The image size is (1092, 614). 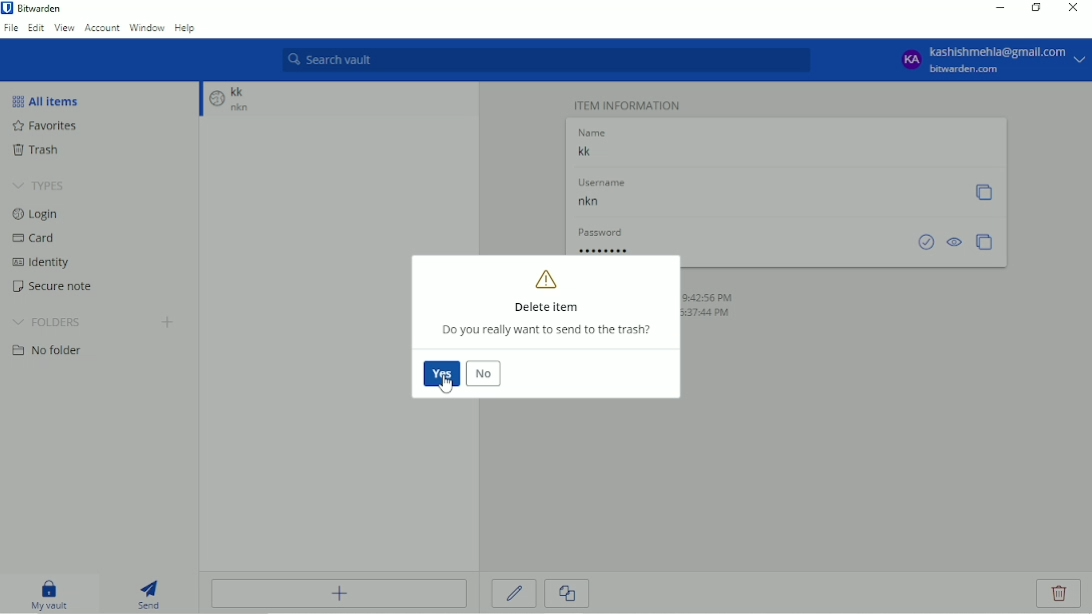 What do you see at coordinates (1036, 8) in the screenshot?
I see `Restore down` at bounding box center [1036, 8].